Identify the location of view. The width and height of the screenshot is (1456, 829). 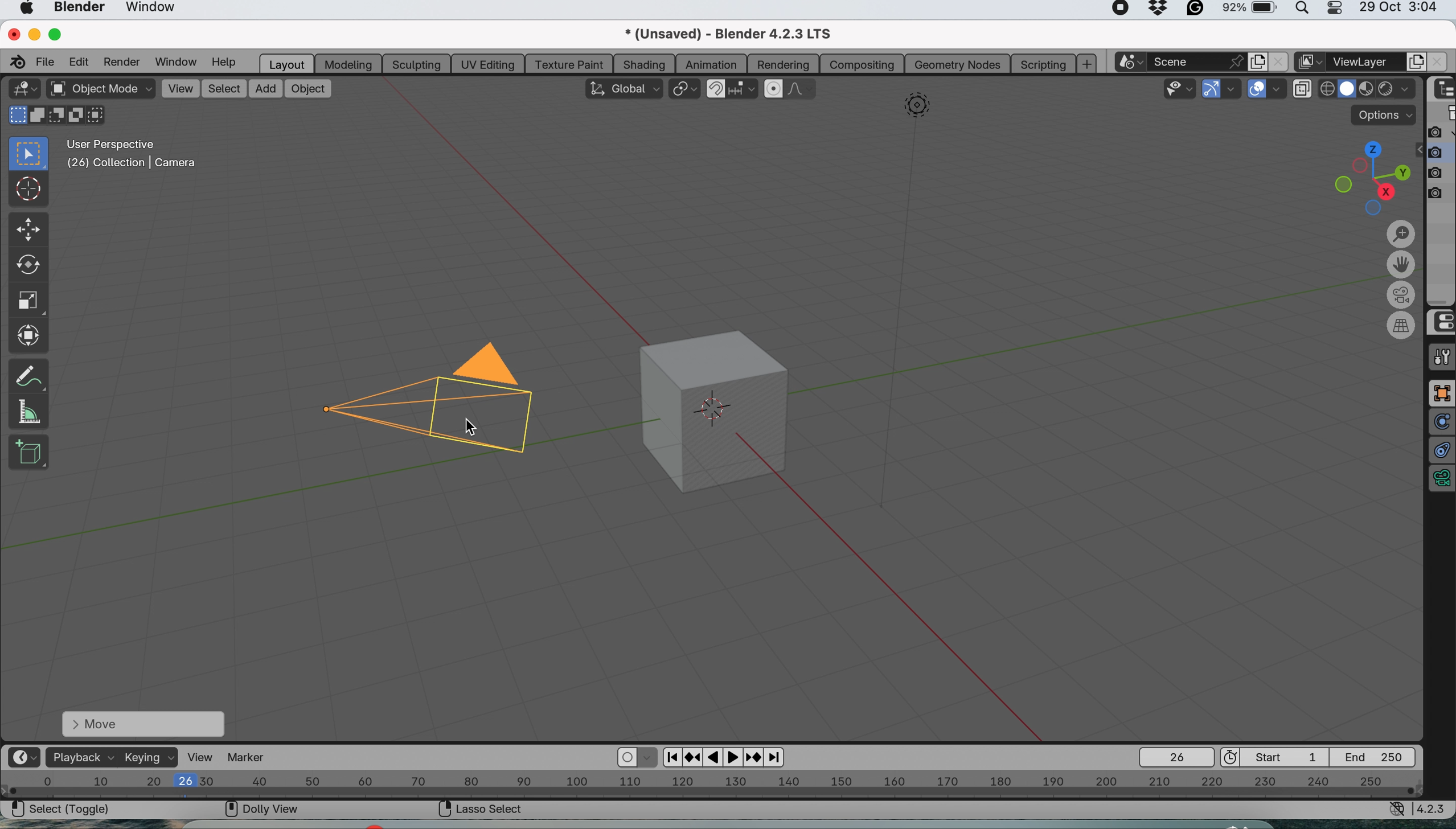
(202, 757).